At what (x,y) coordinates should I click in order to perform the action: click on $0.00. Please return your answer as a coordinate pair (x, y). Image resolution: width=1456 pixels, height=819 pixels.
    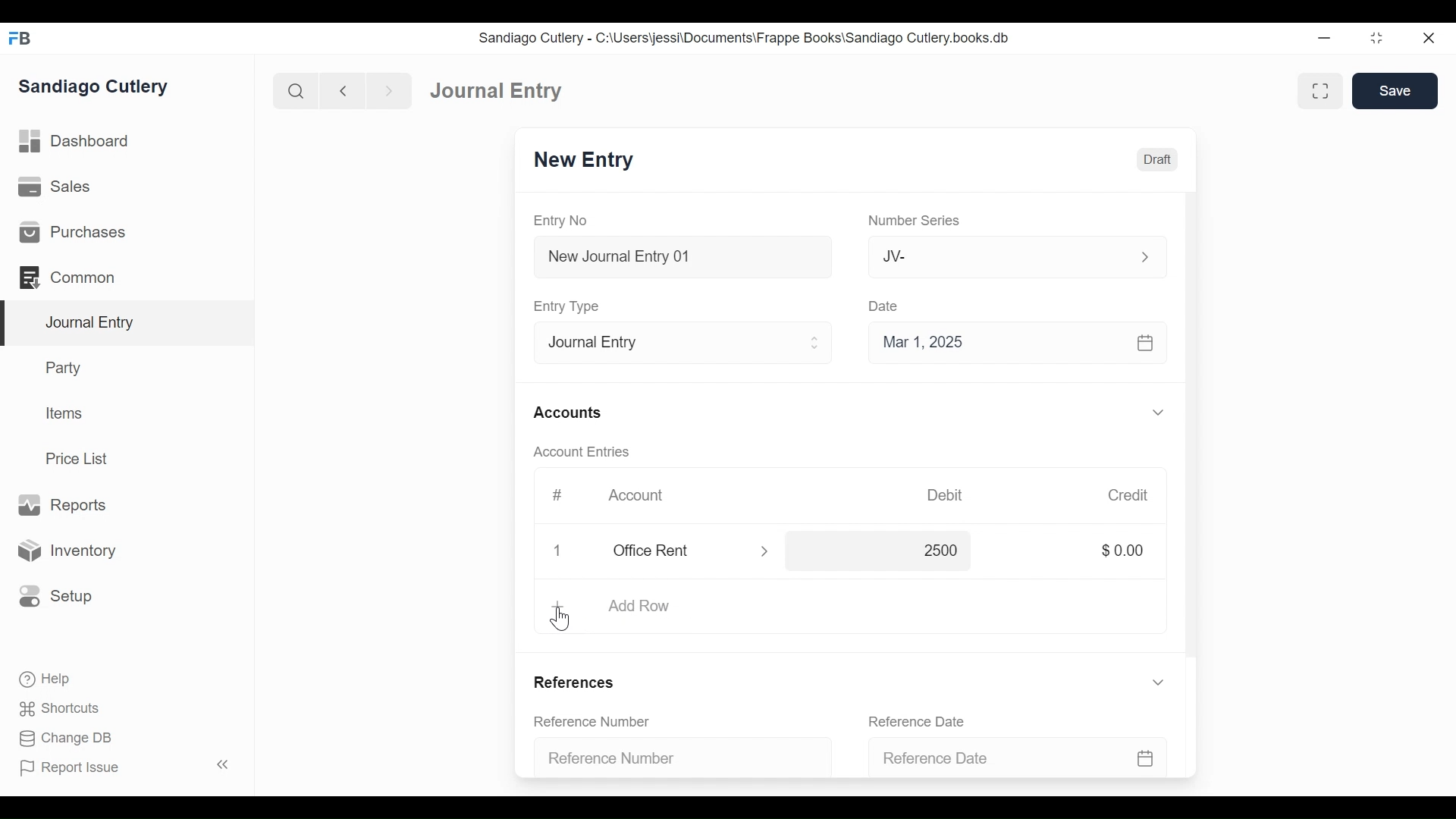
    Looking at the image, I should click on (1122, 551).